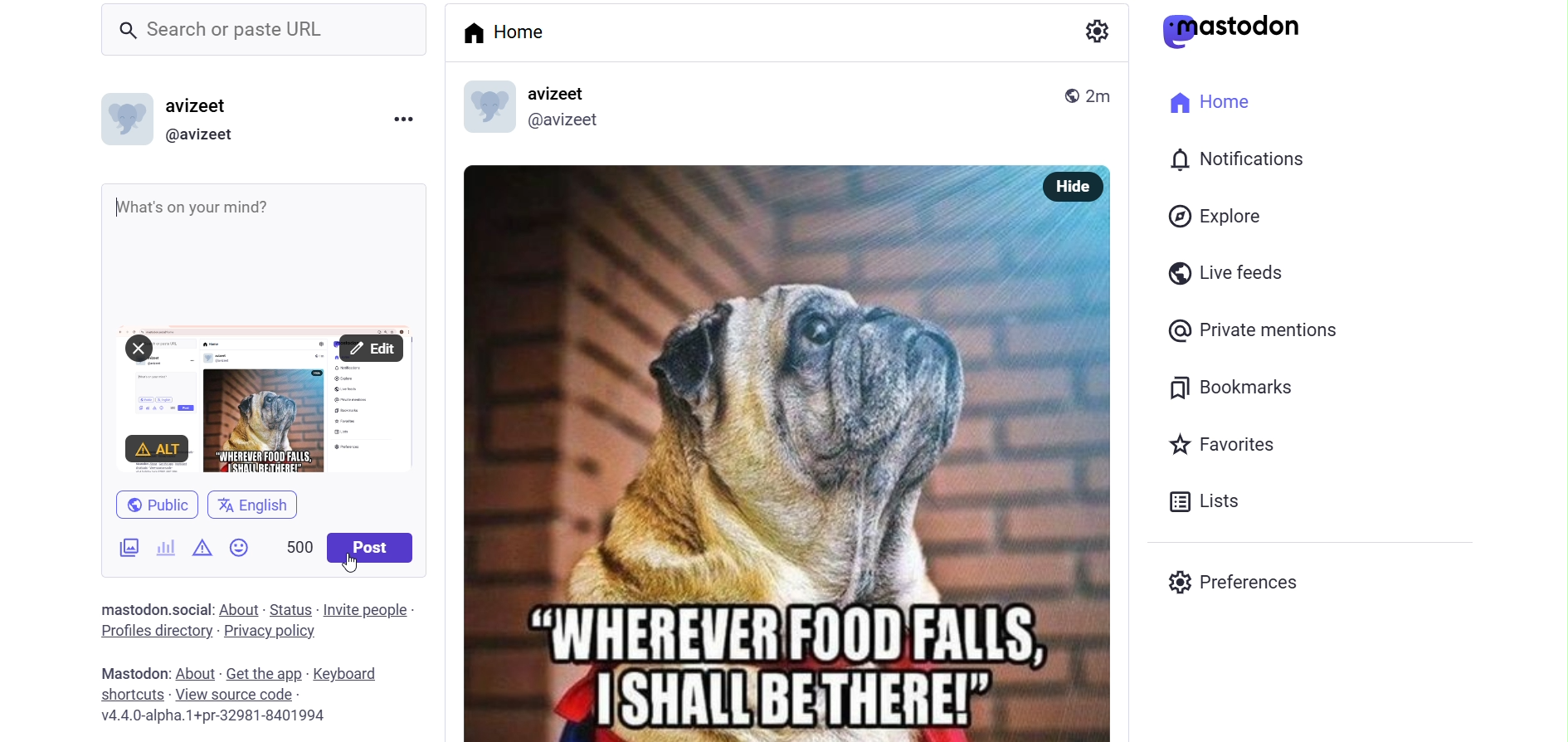 The image size is (1568, 742). Describe the element at coordinates (369, 549) in the screenshot. I see `post` at that location.